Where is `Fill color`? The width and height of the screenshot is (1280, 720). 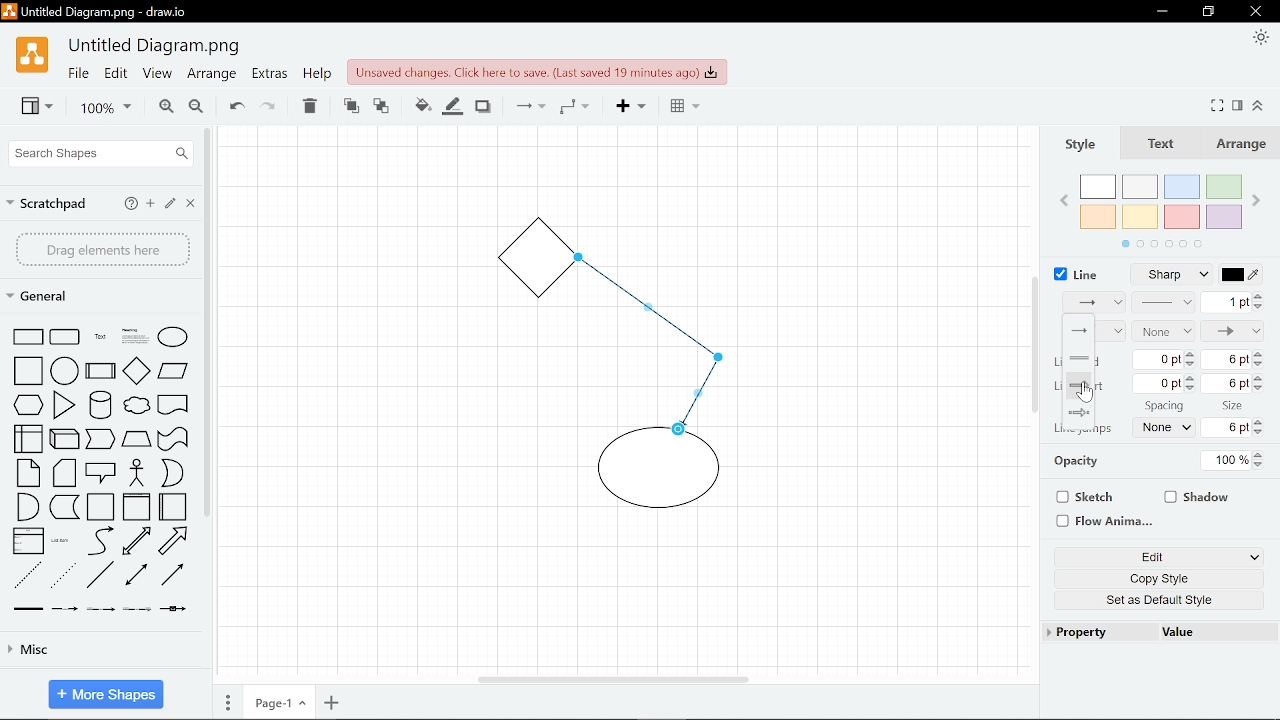 Fill color is located at coordinates (453, 105).